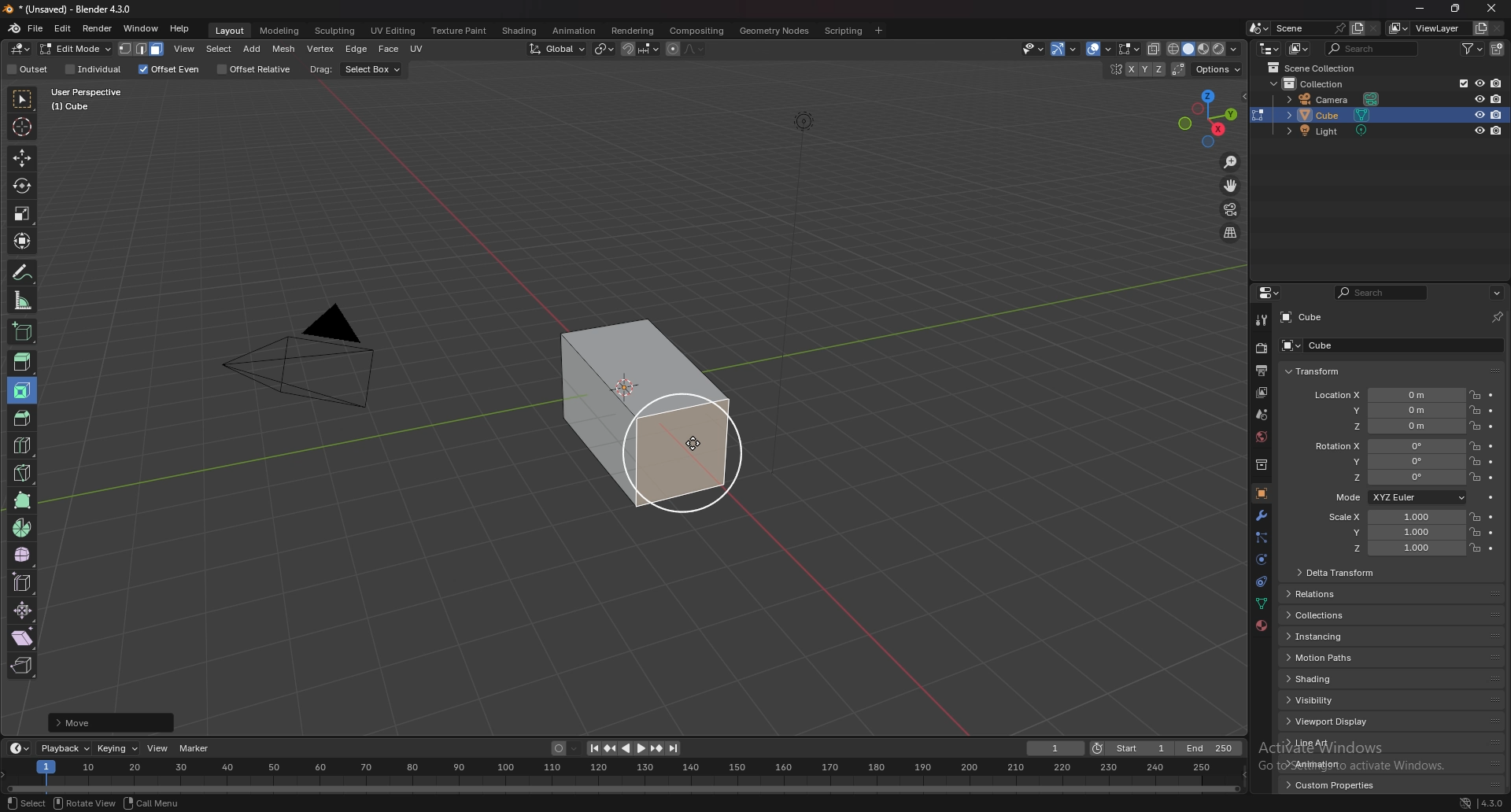  What do you see at coordinates (21, 125) in the screenshot?
I see `cursor` at bounding box center [21, 125].